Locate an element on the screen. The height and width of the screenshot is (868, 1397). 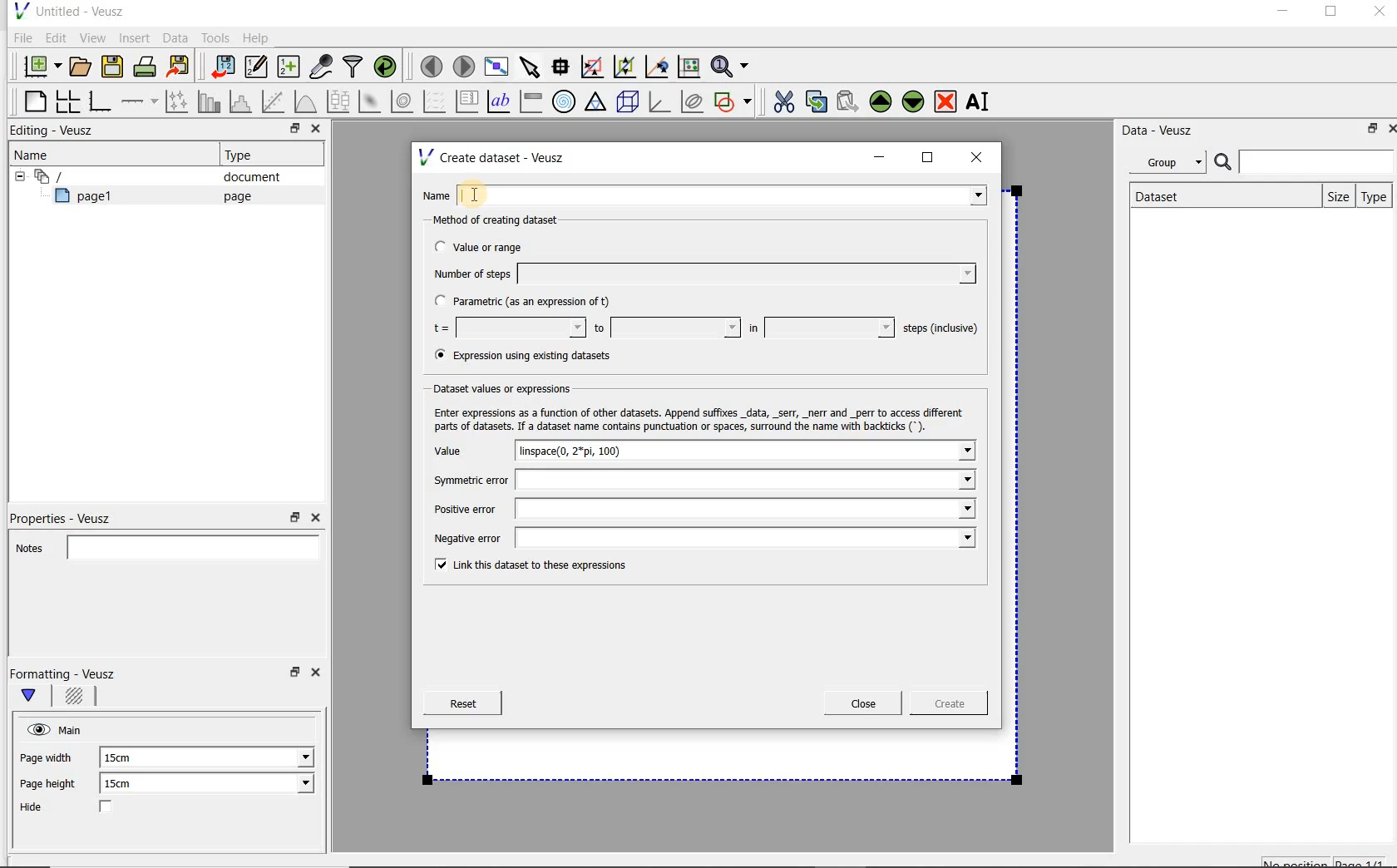
Export to graphics format is located at coordinates (179, 68).